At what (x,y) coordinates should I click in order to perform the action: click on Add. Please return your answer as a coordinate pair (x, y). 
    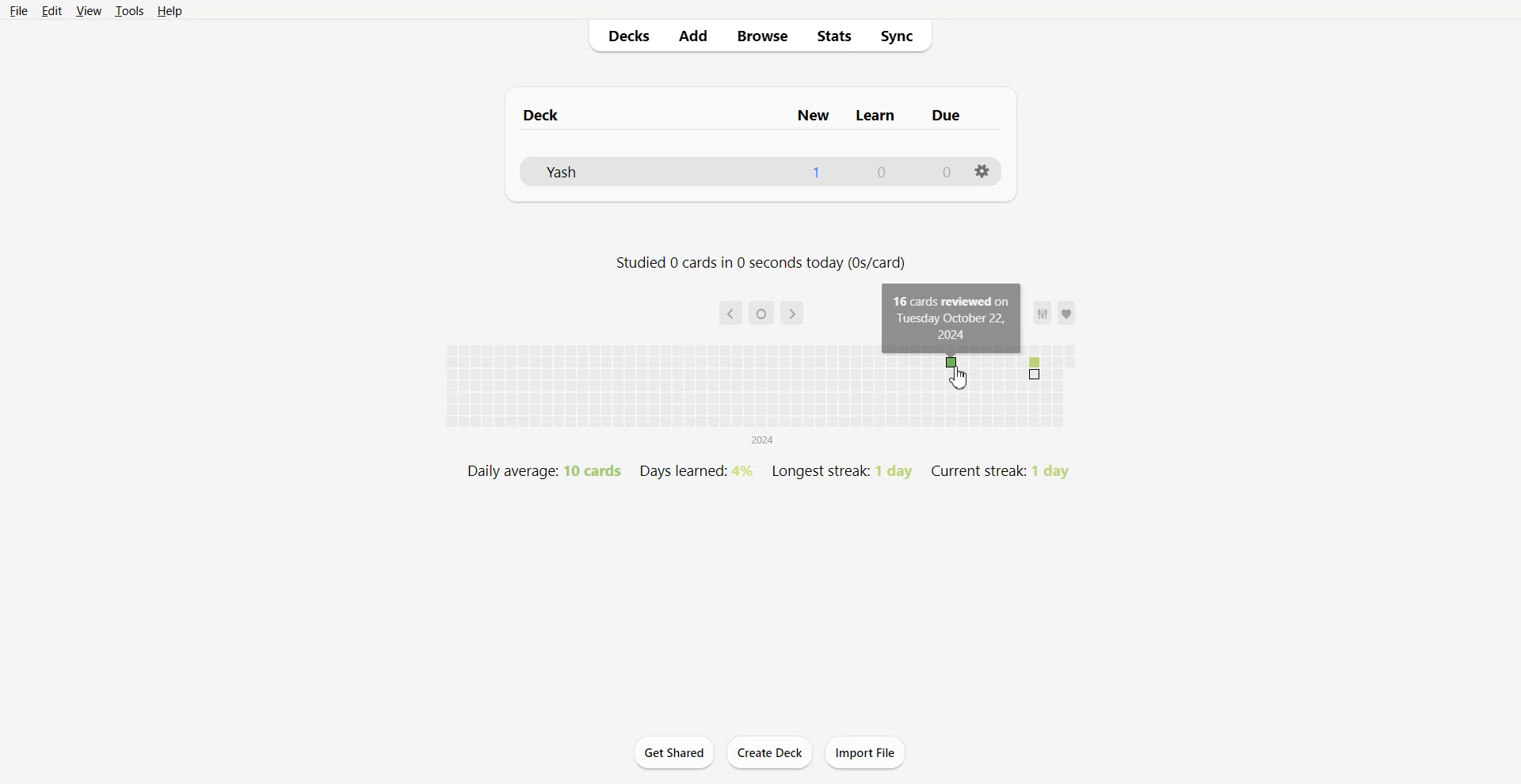
    Looking at the image, I should click on (694, 36).